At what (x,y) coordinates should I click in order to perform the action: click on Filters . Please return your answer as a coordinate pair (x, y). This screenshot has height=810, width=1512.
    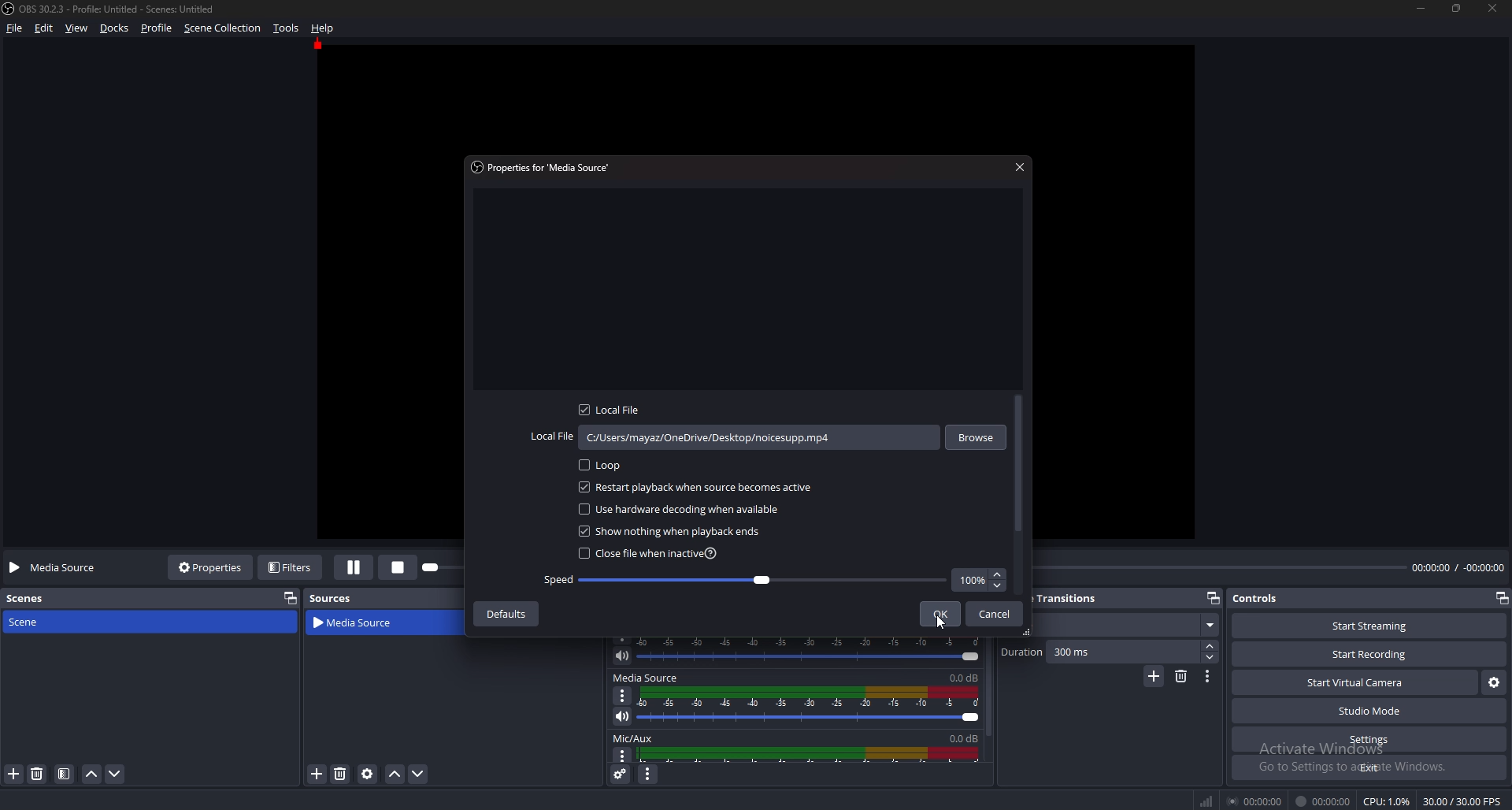
    Looking at the image, I should click on (292, 567).